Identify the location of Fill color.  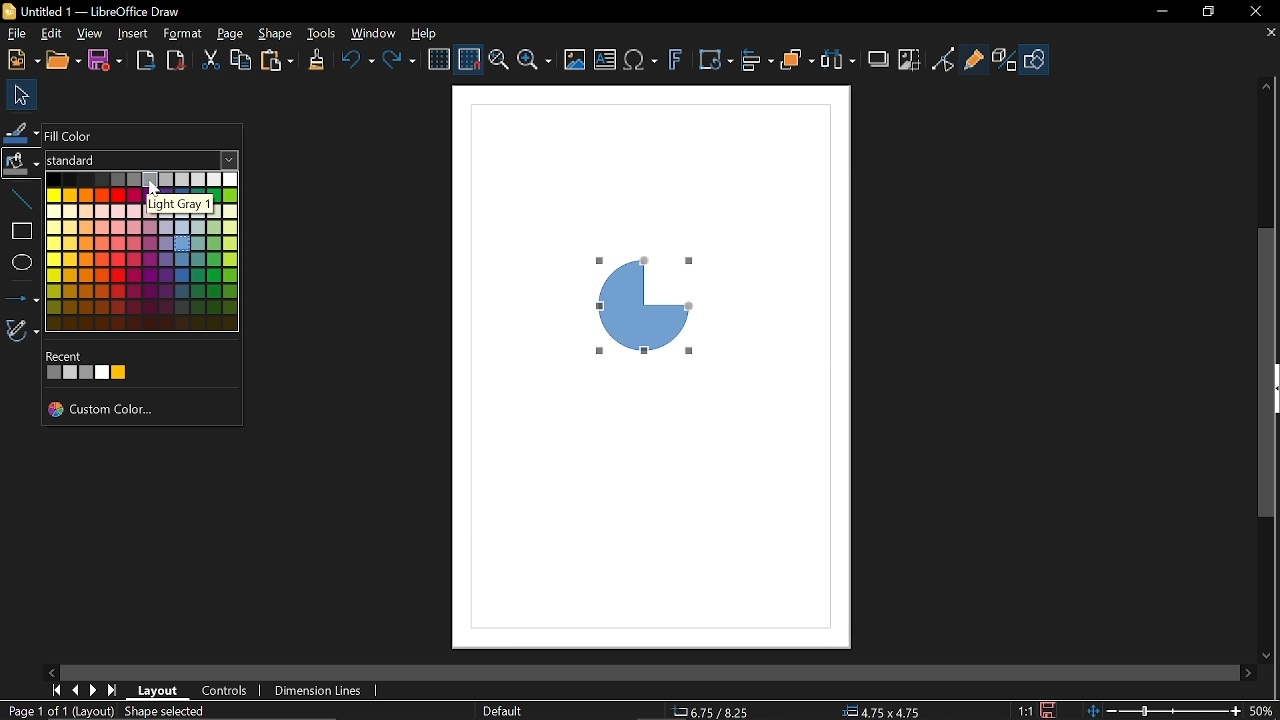
(22, 166).